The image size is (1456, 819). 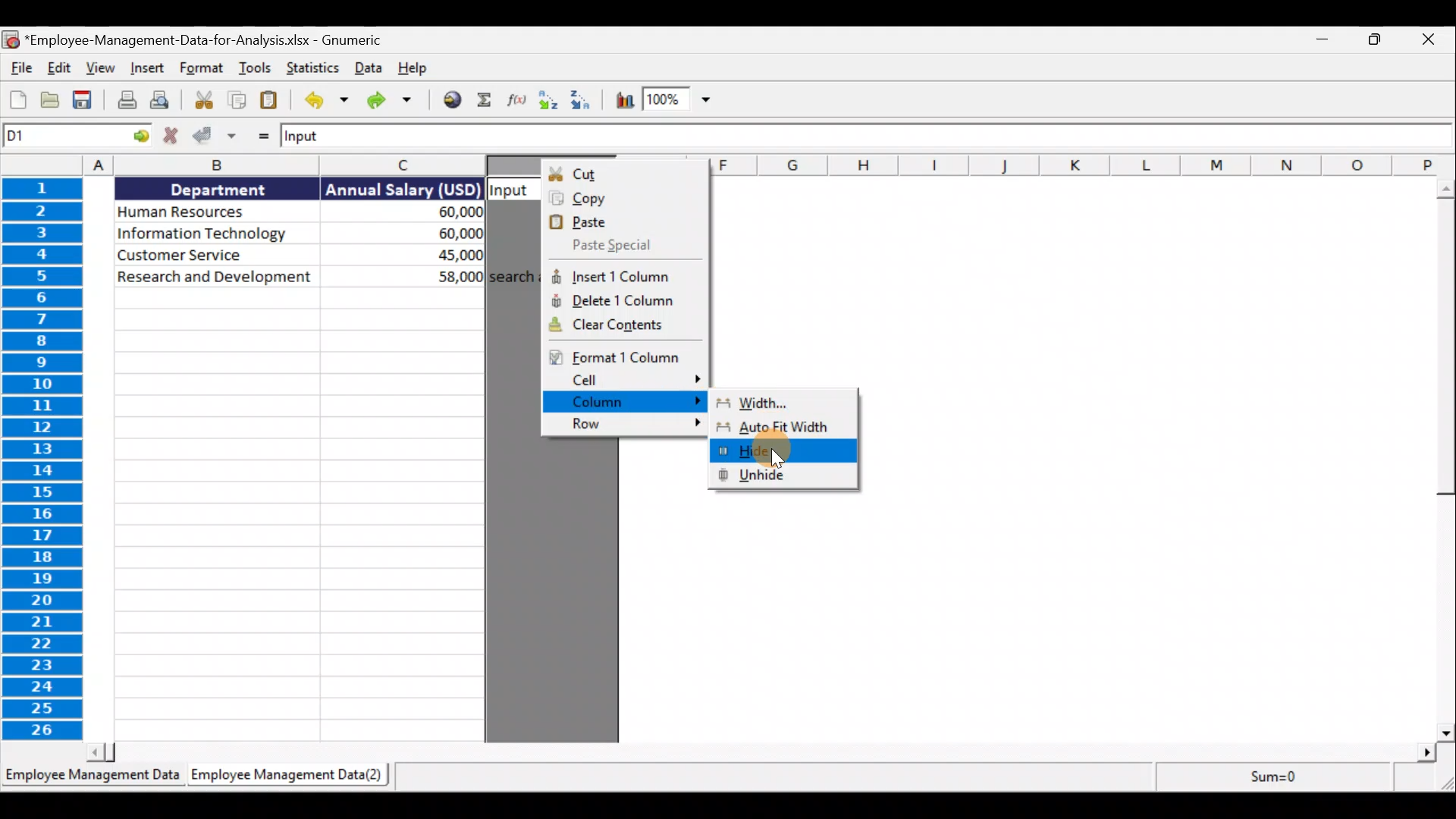 What do you see at coordinates (313, 67) in the screenshot?
I see `Statistics` at bounding box center [313, 67].